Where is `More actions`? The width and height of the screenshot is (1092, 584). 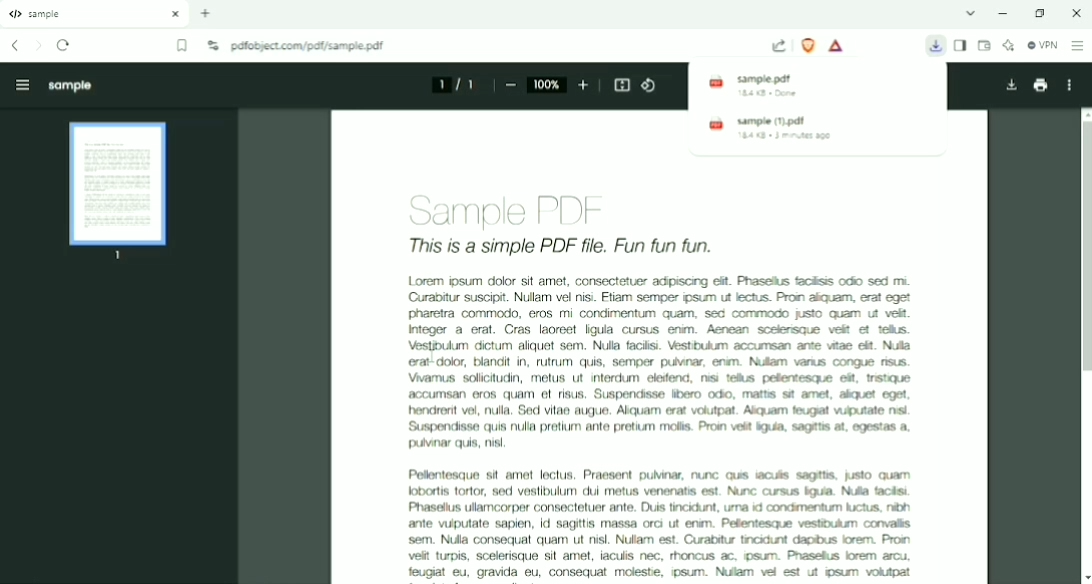 More actions is located at coordinates (1067, 85).